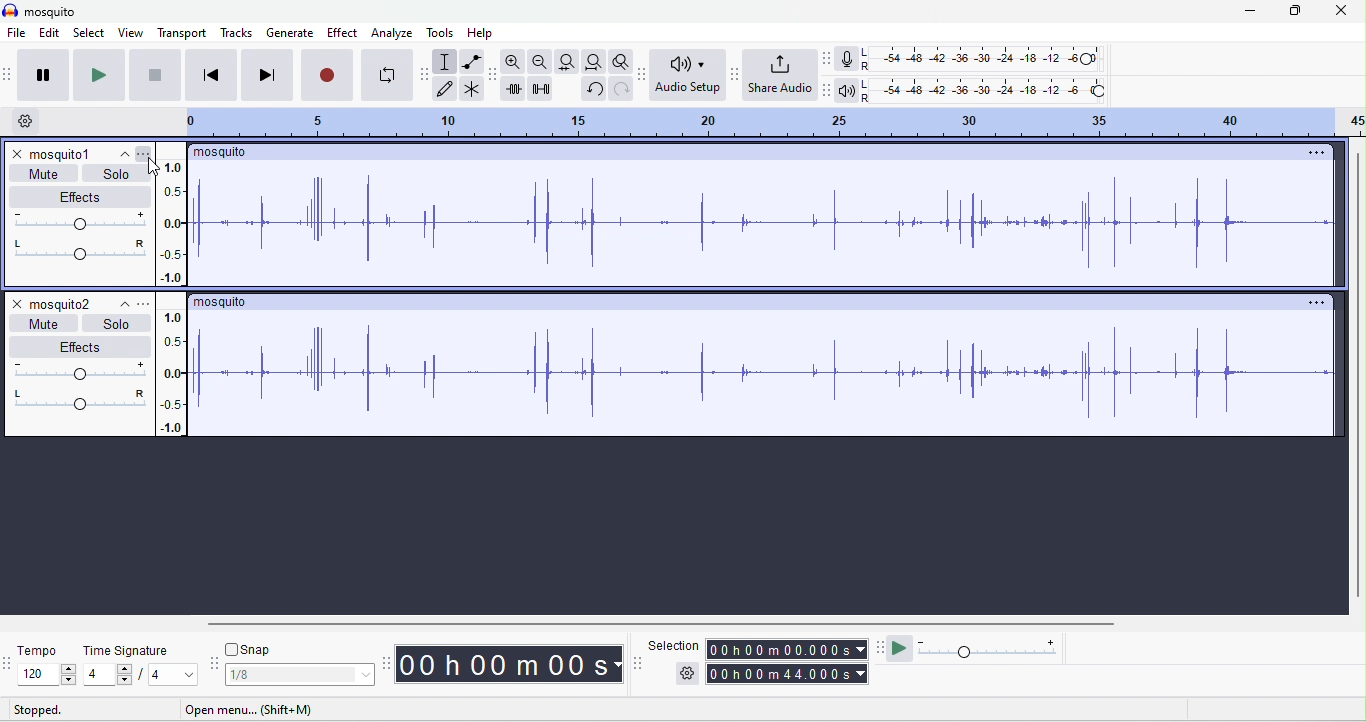 This screenshot has width=1366, height=722. Describe the element at coordinates (154, 166) in the screenshot. I see `cursor movement` at that location.